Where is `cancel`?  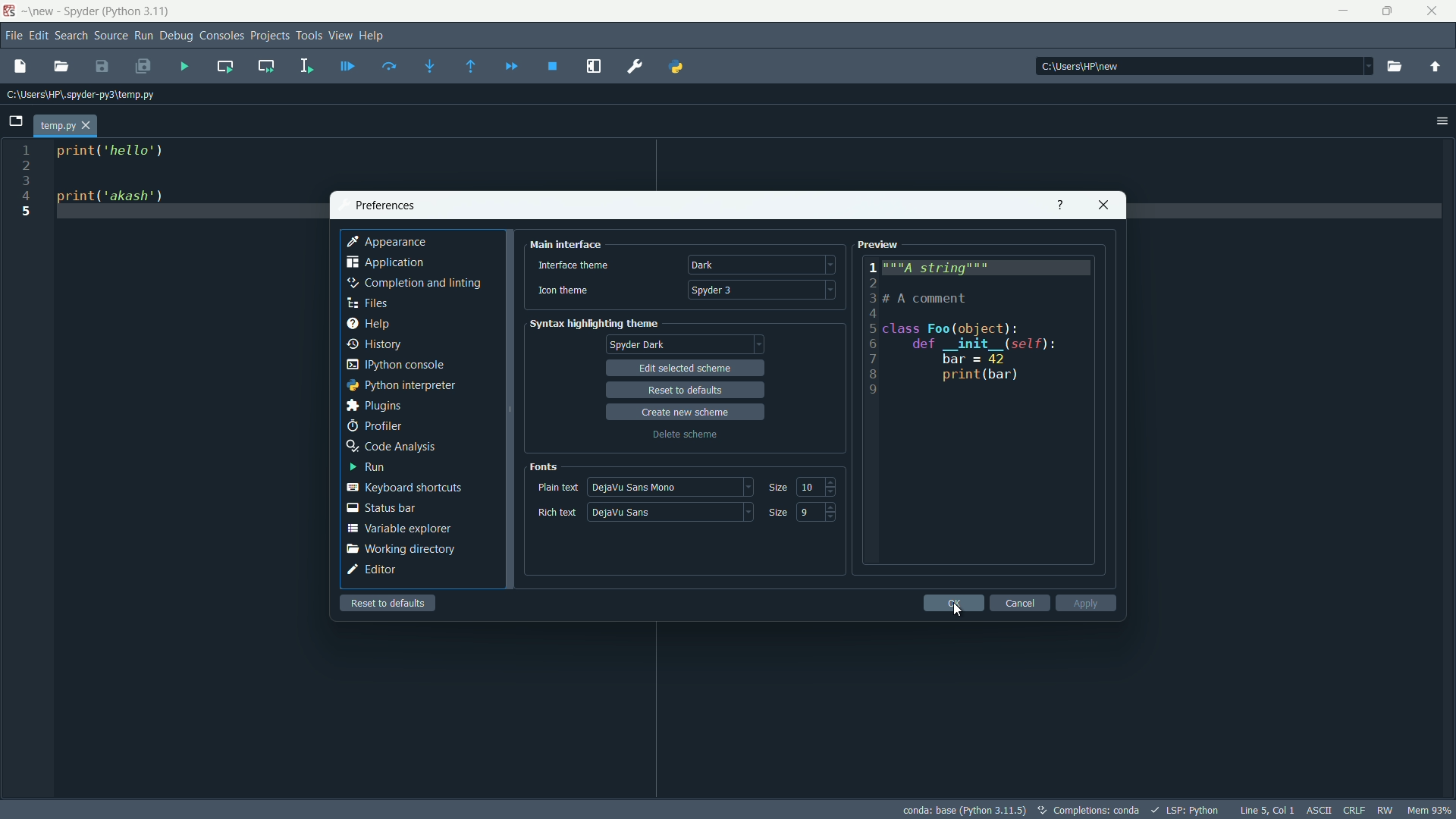
cancel is located at coordinates (1022, 603).